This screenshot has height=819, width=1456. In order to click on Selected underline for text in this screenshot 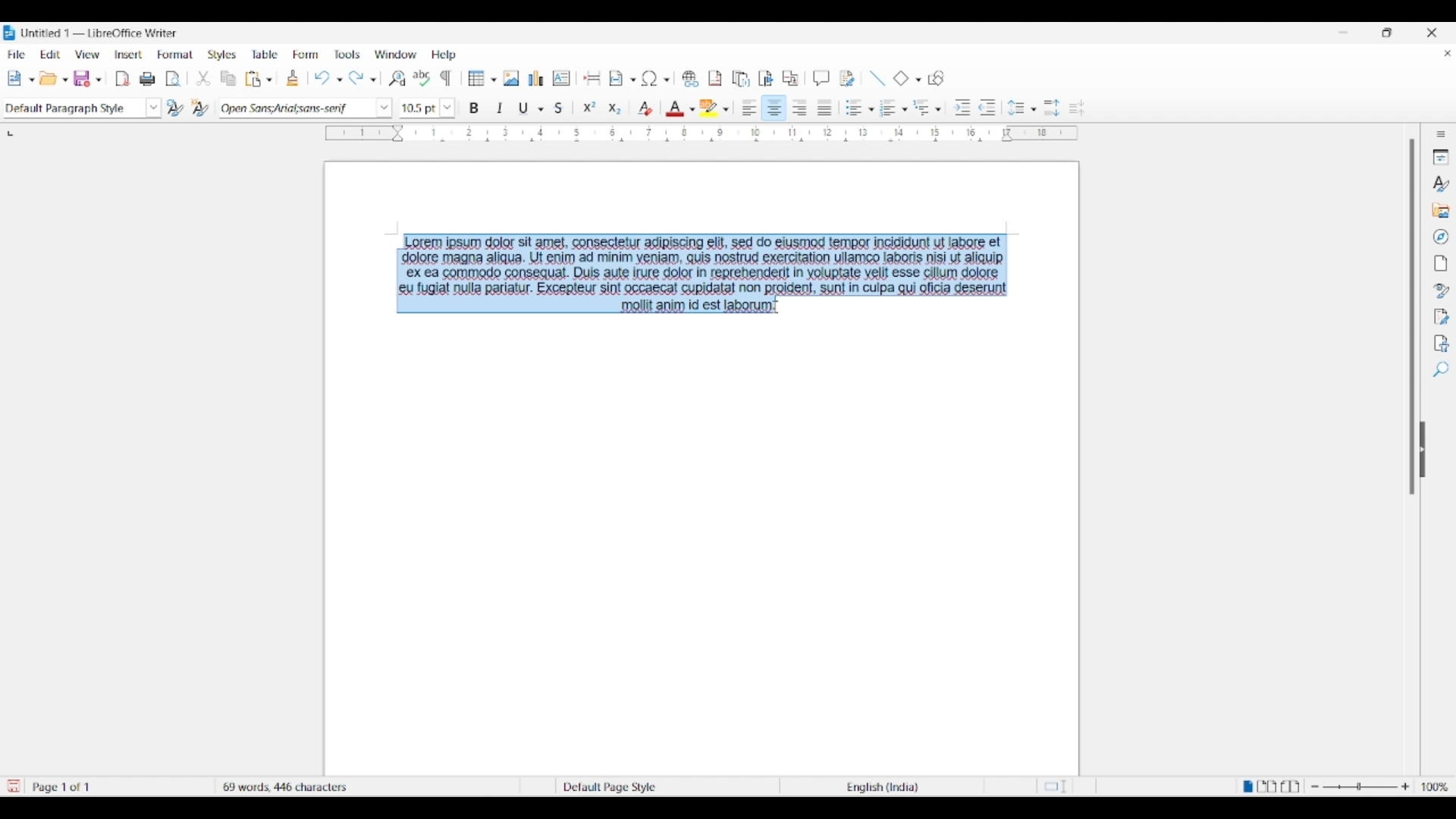, I will do `click(523, 108)`.